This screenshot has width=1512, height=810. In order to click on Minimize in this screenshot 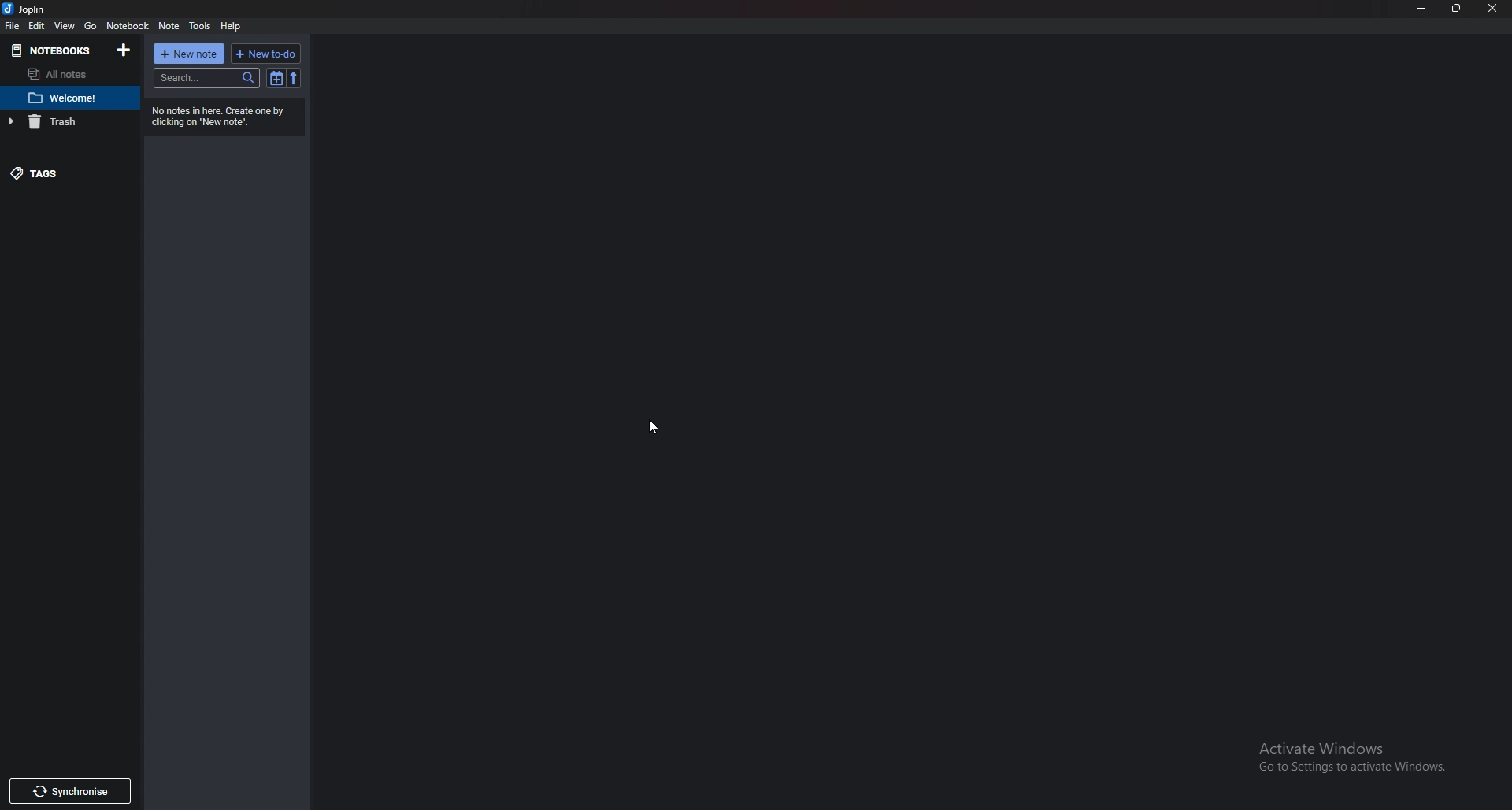, I will do `click(1422, 9)`.